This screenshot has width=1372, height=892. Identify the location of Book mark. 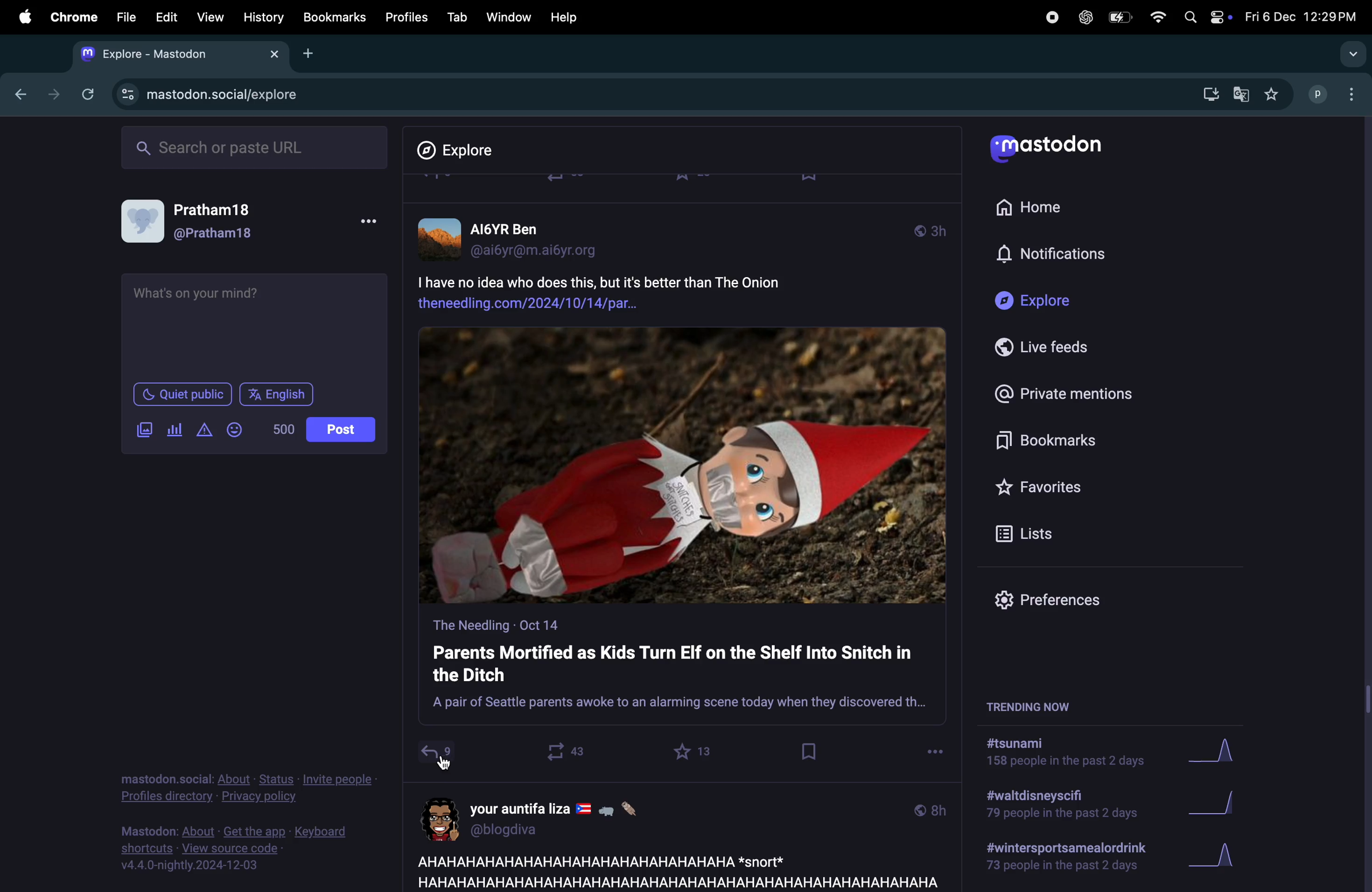
(333, 17).